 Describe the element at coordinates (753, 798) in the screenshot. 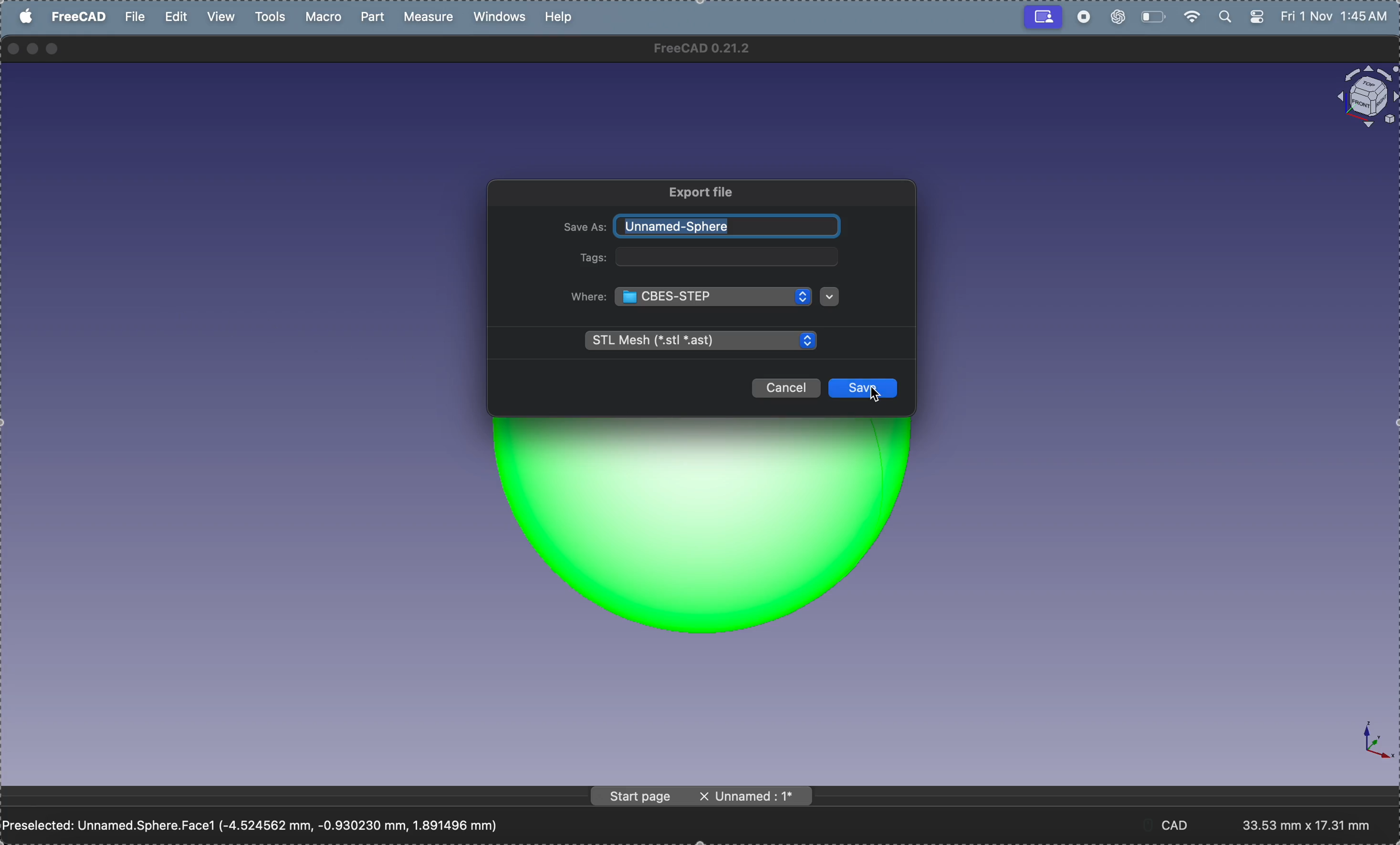

I see `unnamed:1` at that location.